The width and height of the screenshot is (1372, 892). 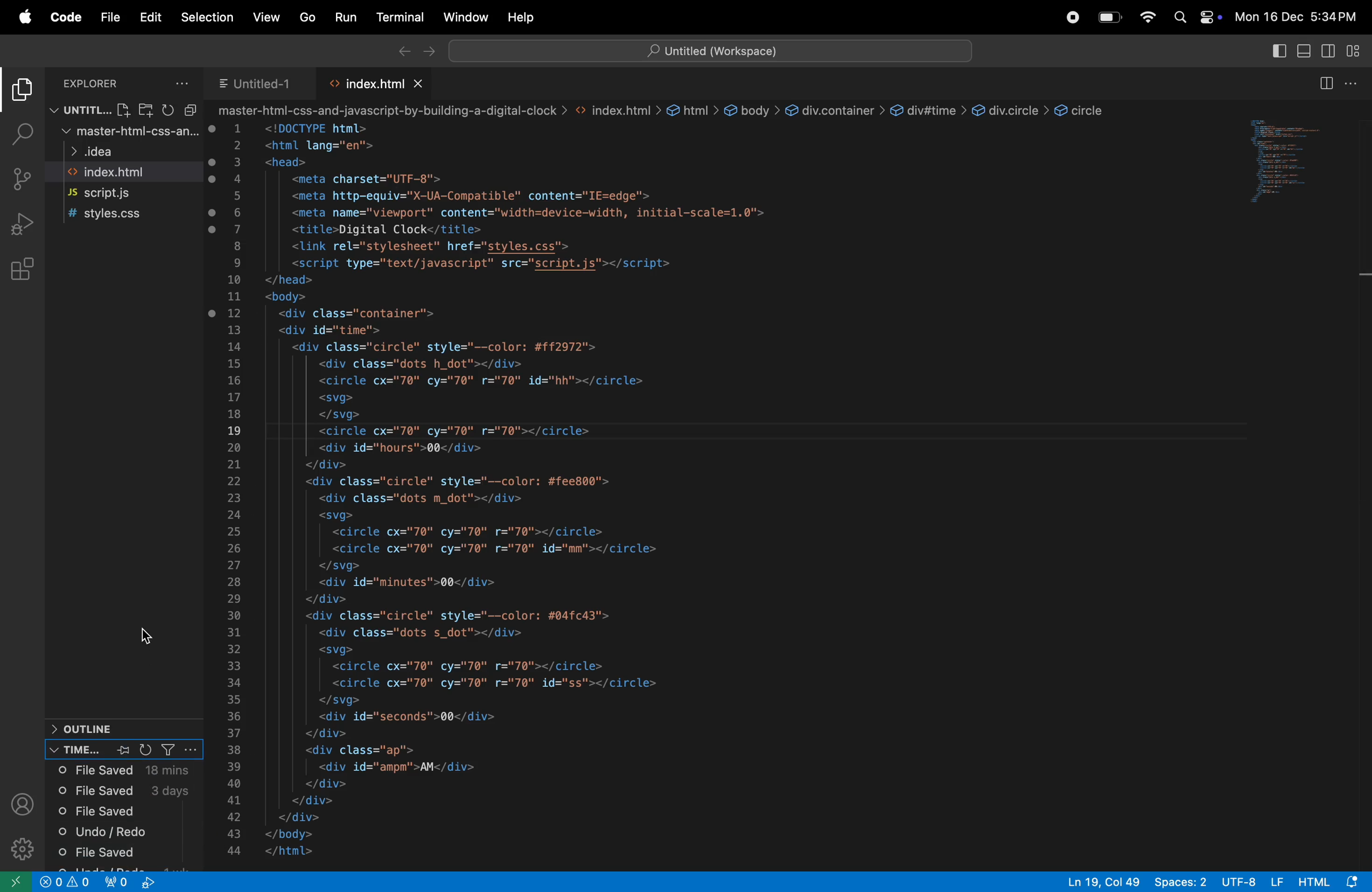 What do you see at coordinates (428, 247) in the screenshot?
I see `<link rel="stvlesheet" href="stvles.css">` at bounding box center [428, 247].